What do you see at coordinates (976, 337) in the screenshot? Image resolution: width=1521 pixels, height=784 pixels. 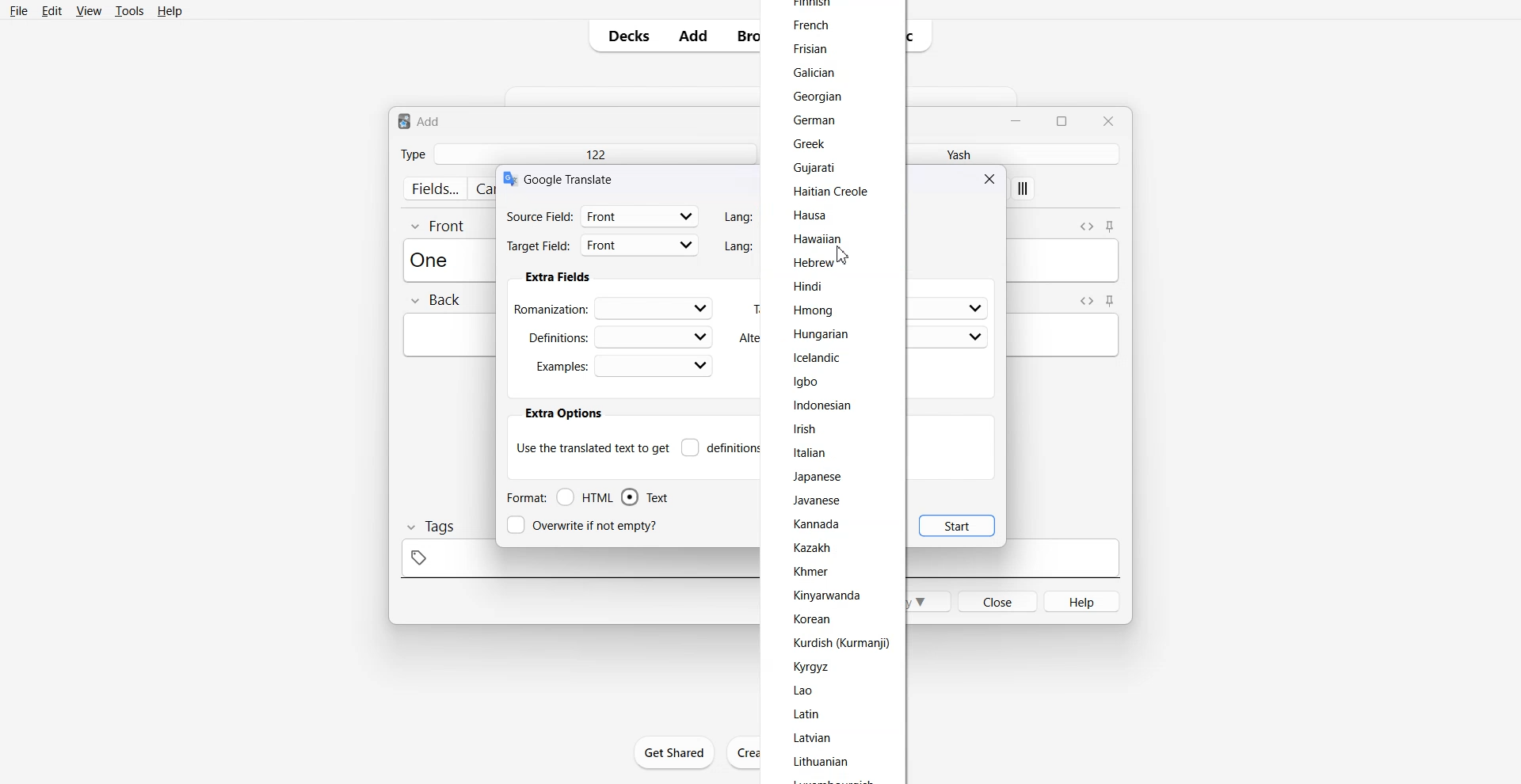 I see `dropdown` at bounding box center [976, 337].